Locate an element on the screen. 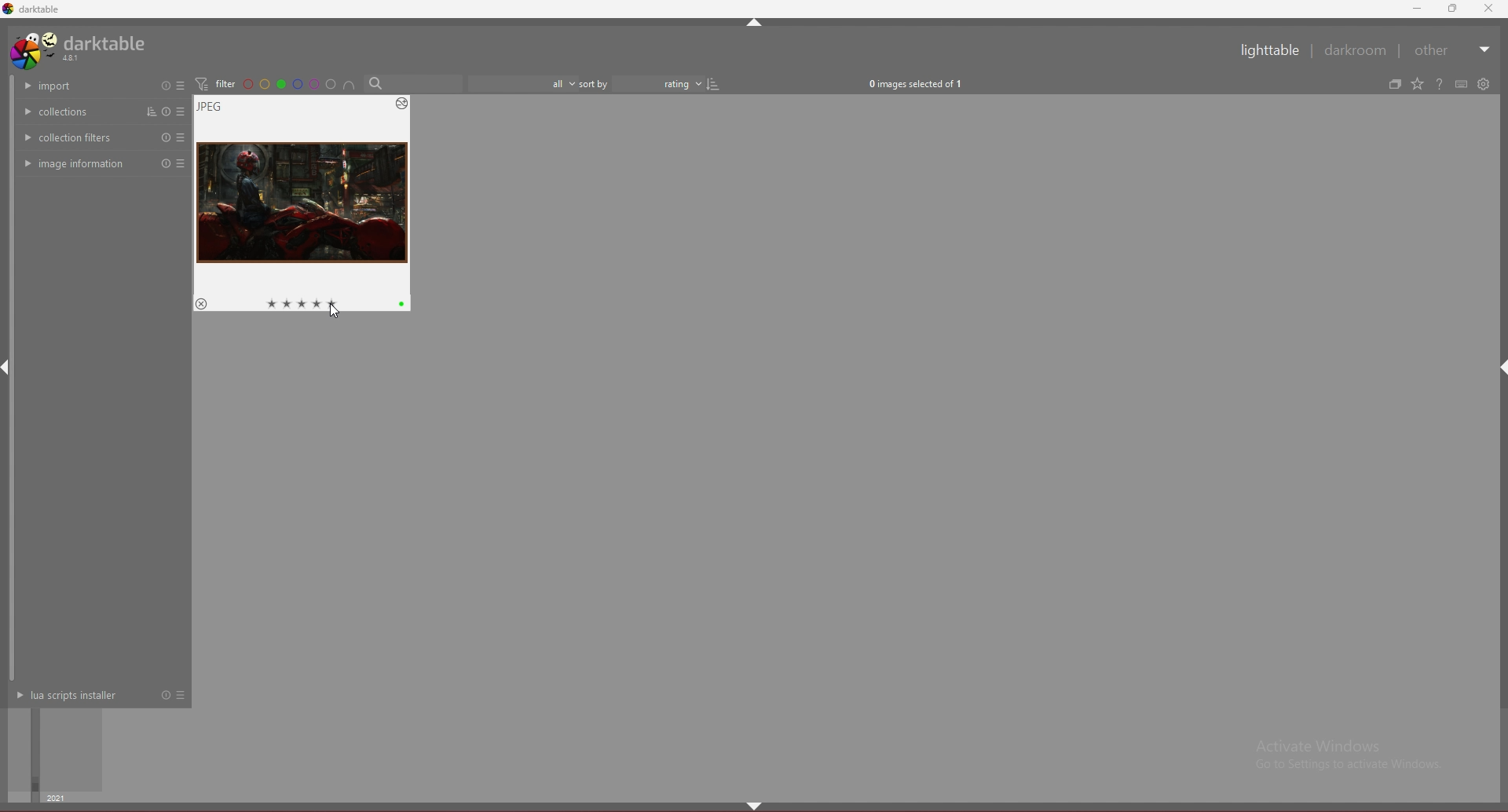 This screenshot has width=1508, height=812. presets is located at coordinates (183, 112).